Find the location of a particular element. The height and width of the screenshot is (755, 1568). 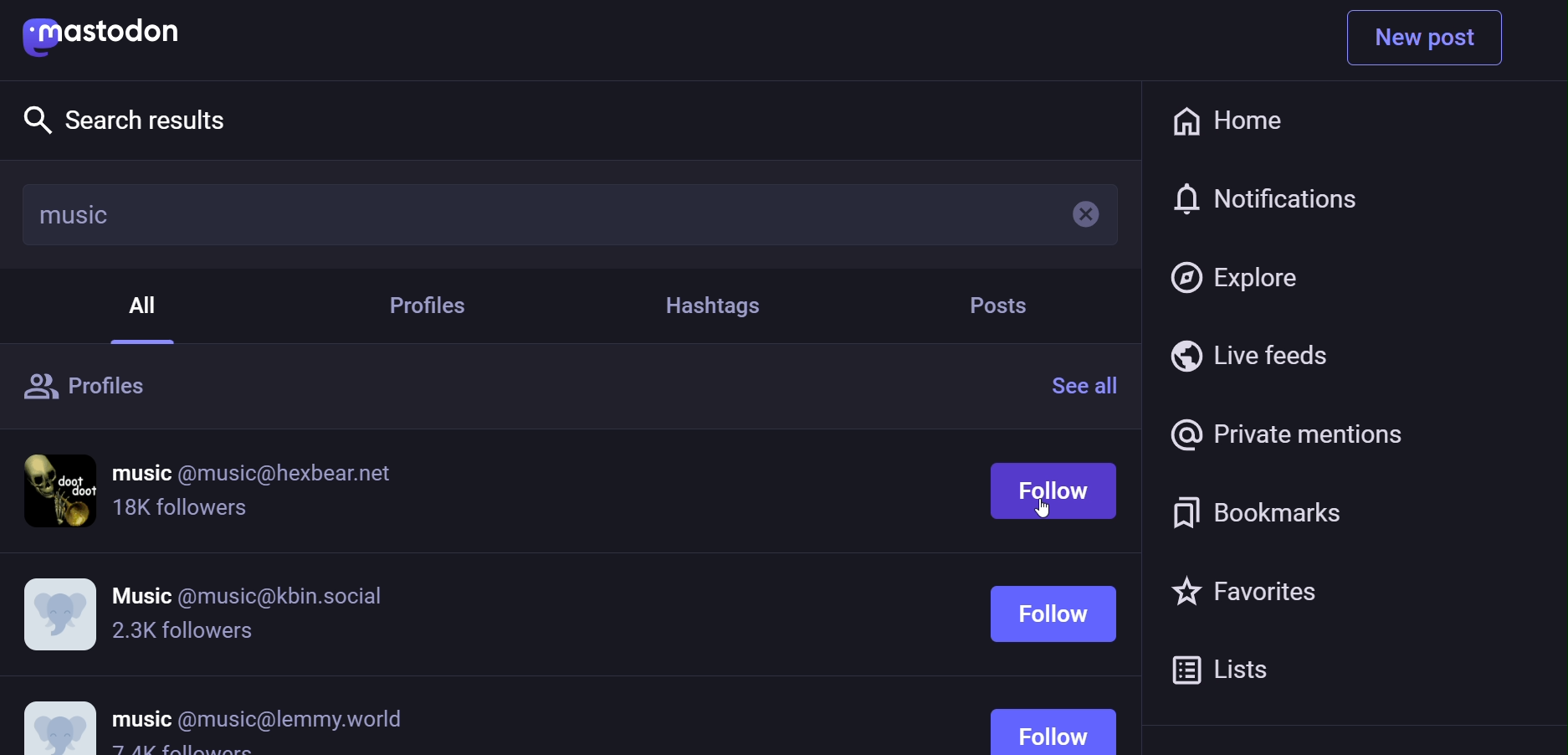

profiles is located at coordinates (91, 389).